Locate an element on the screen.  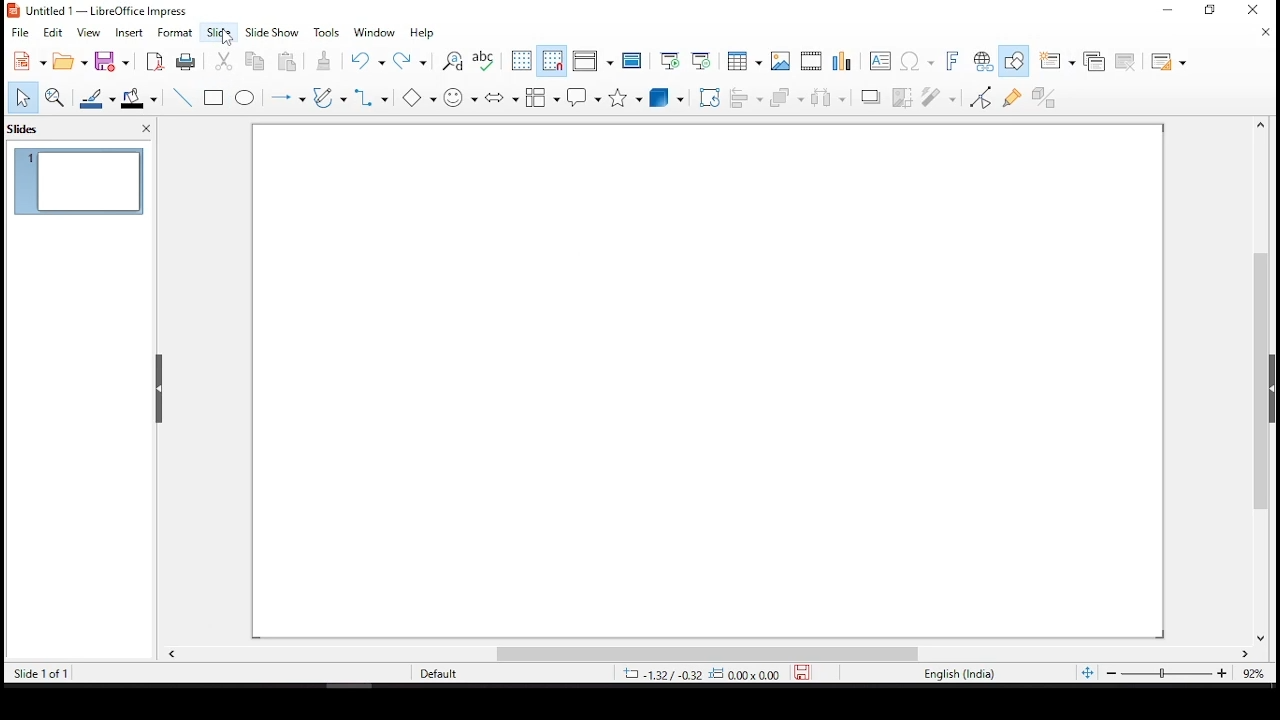
filter is located at coordinates (940, 96).